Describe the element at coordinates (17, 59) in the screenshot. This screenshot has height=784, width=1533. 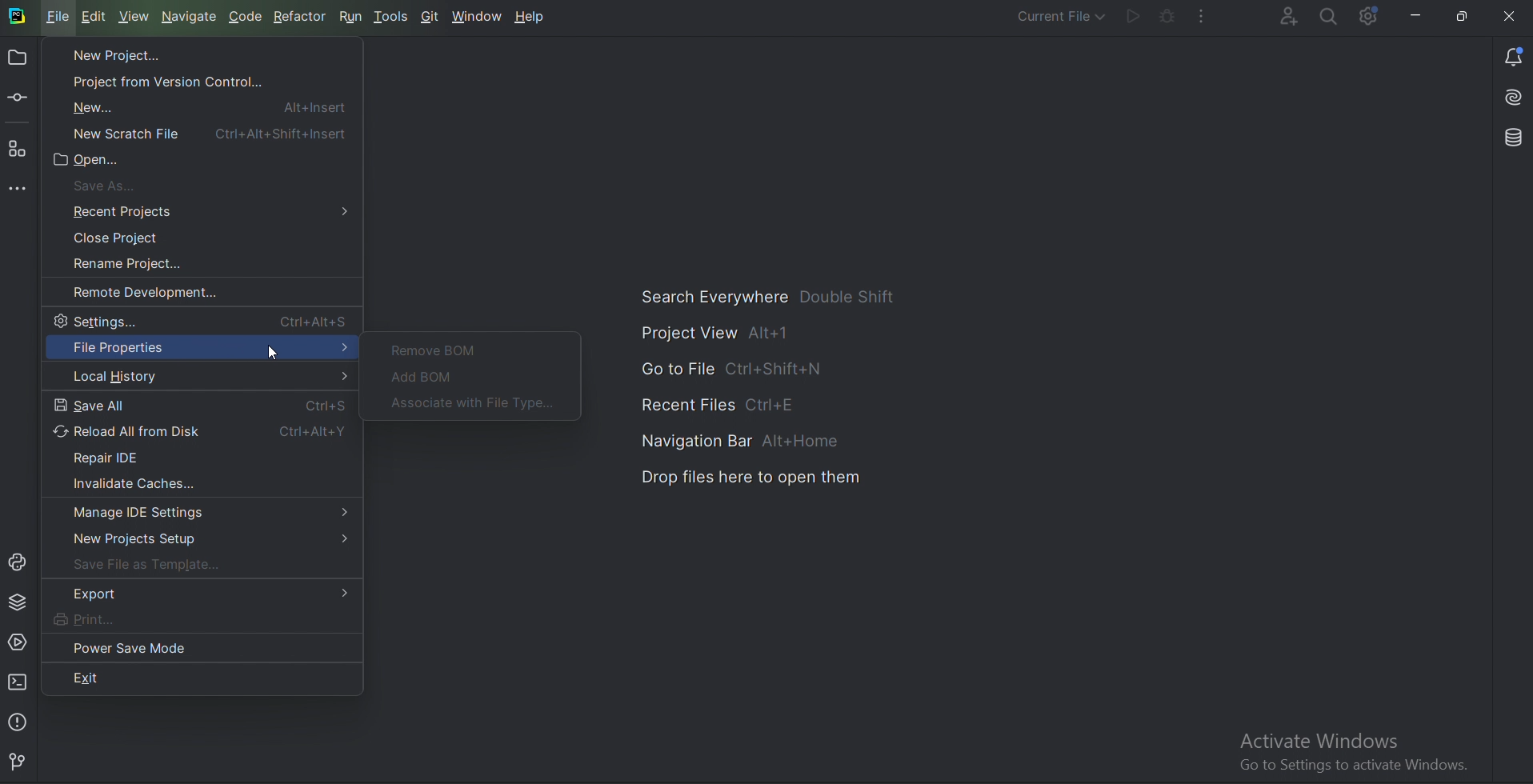
I see `Project` at that location.